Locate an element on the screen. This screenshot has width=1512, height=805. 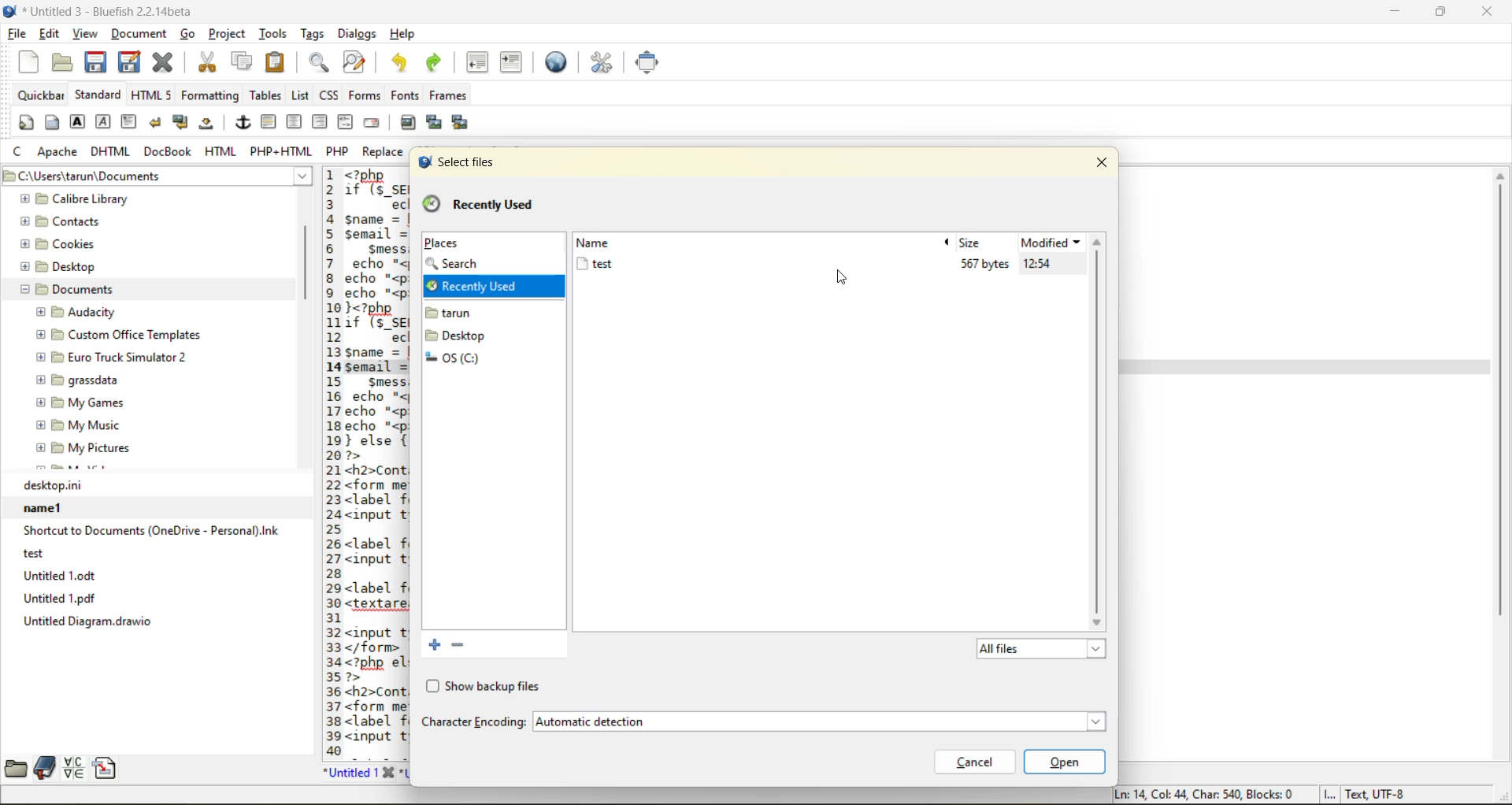
indent is located at coordinates (510, 62).